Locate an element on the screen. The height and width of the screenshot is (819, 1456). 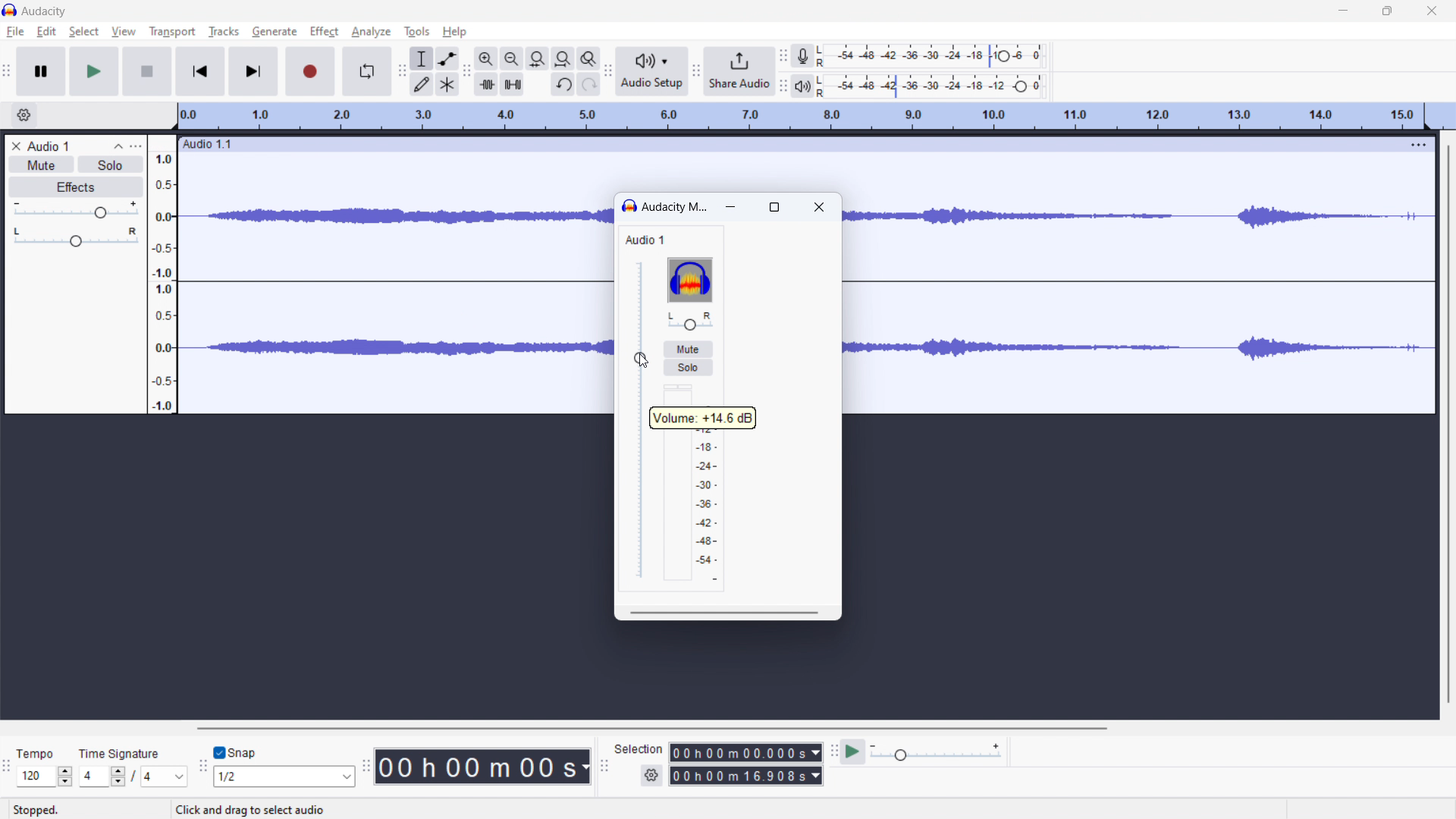
tracks is located at coordinates (223, 32).